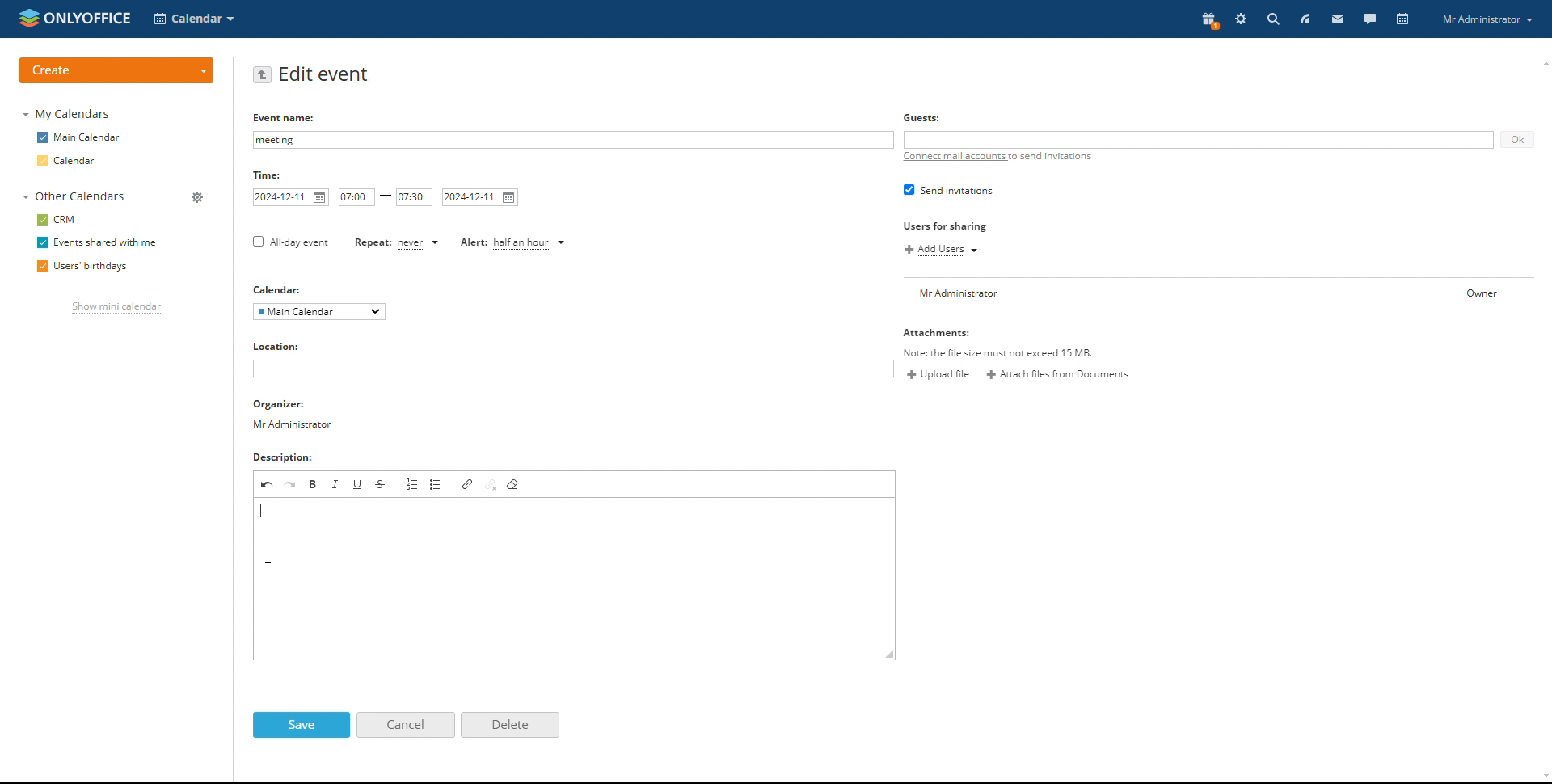 The image size is (1552, 784). Describe the element at coordinates (284, 456) in the screenshot. I see `Description:` at that location.